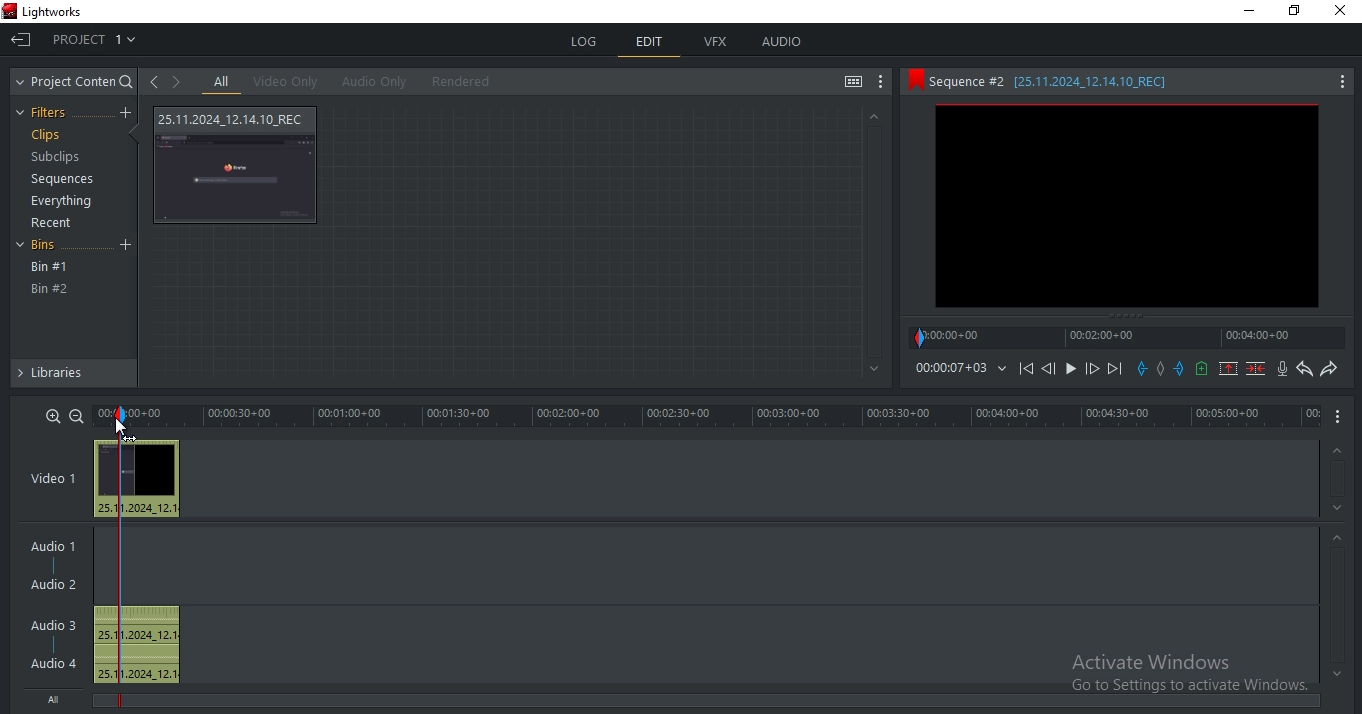 The height and width of the screenshot is (714, 1362). Describe the element at coordinates (1180, 369) in the screenshot. I see `add an out mark` at that location.